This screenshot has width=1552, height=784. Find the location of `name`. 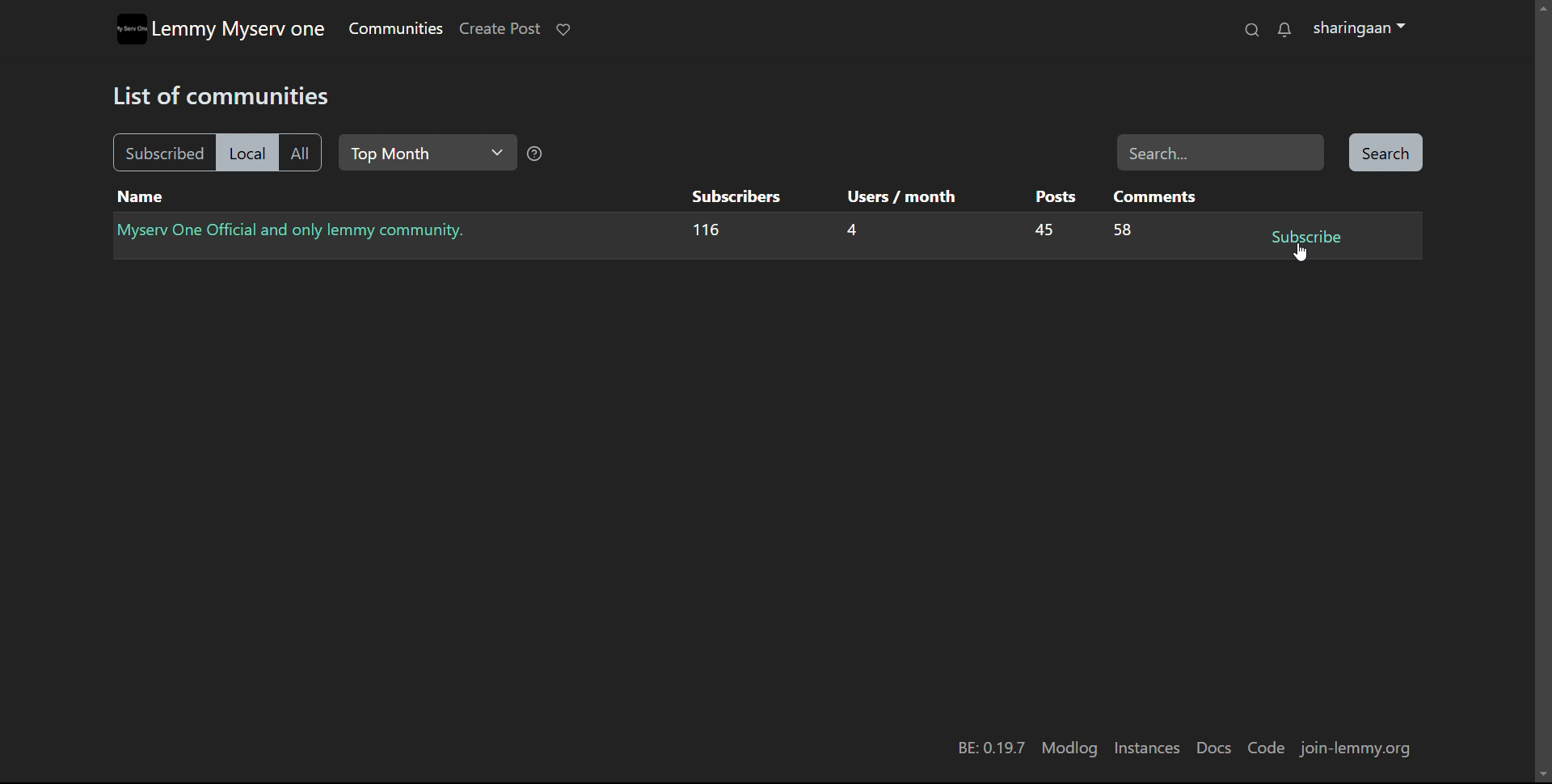

name is located at coordinates (141, 197).